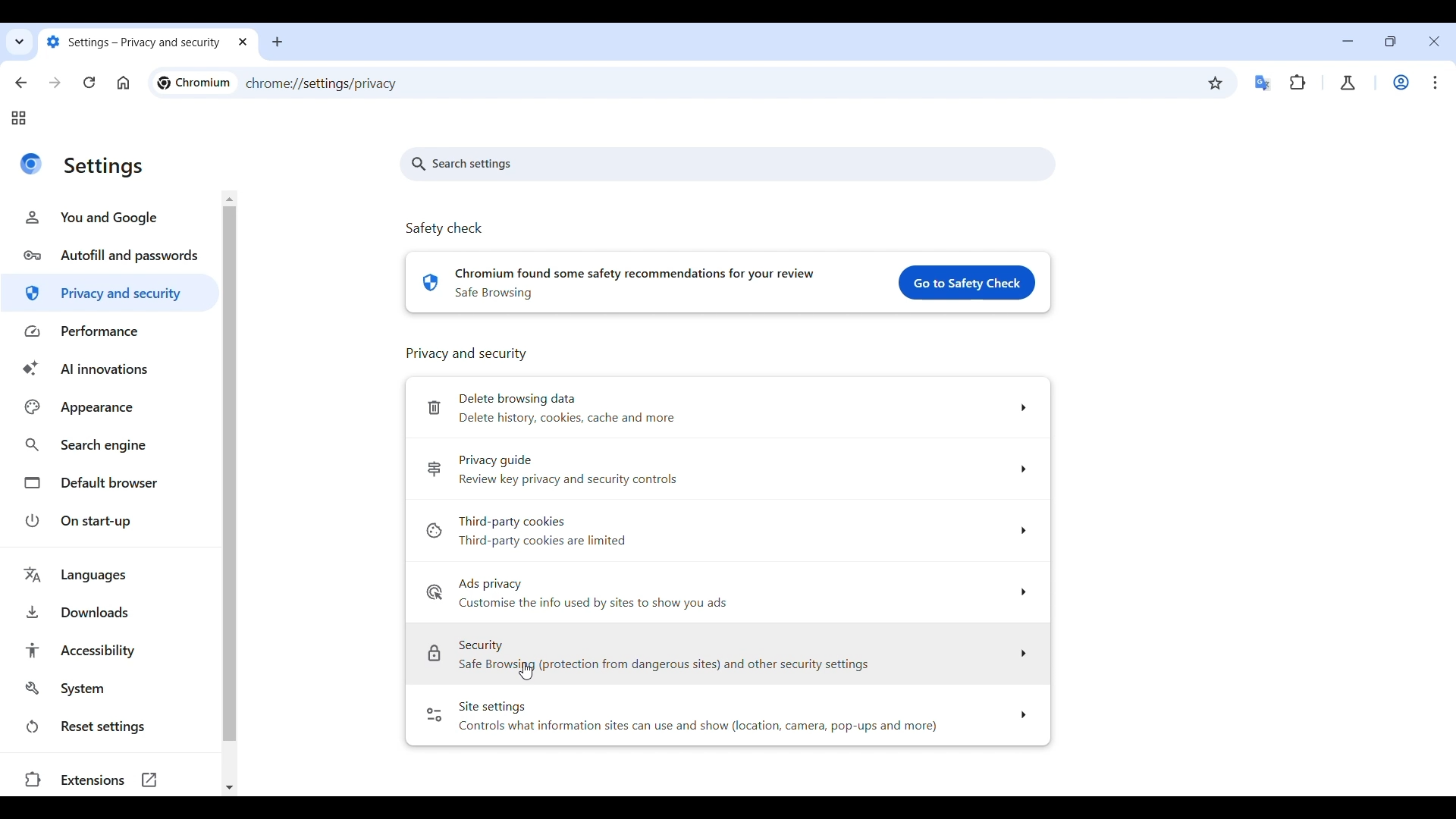 This screenshot has height=819, width=1456. Describe the element at coordinates (111, 256) in the screenshot. I see `Autofill and passwords` at that location.